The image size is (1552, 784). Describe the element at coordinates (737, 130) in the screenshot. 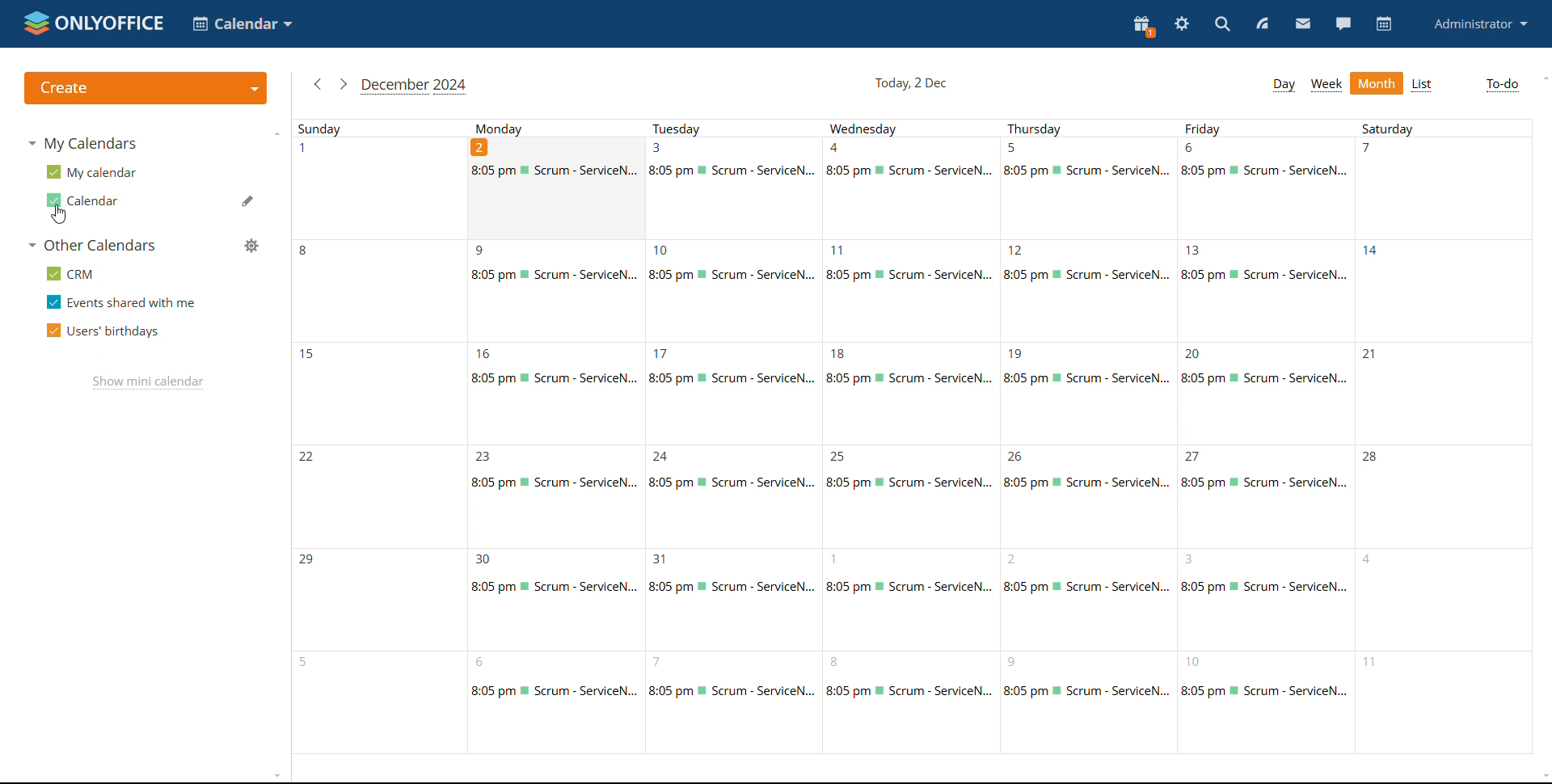

I see `tuesday` at that location.